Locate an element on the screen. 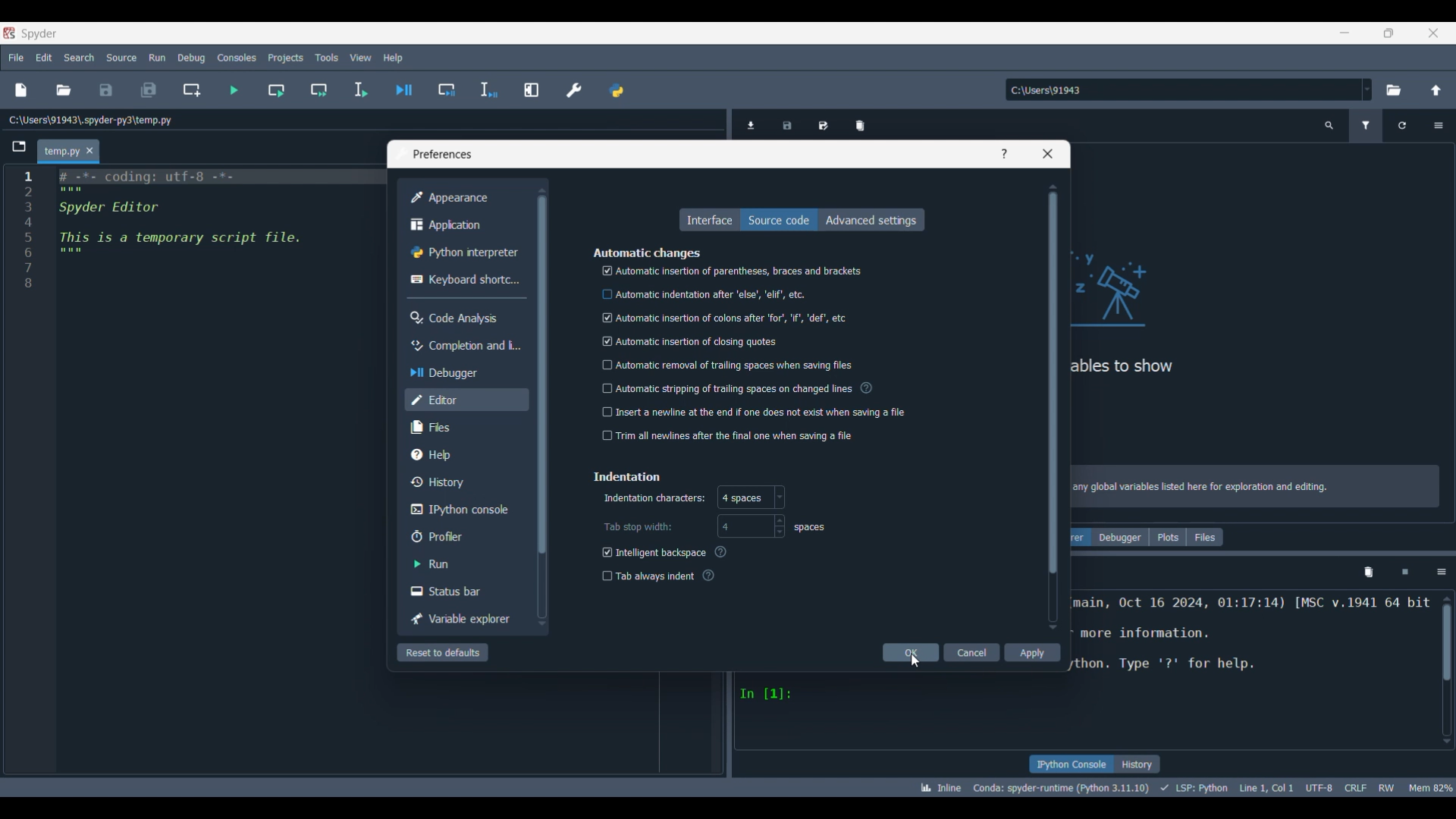  Close is located at coordinates (89, 150).